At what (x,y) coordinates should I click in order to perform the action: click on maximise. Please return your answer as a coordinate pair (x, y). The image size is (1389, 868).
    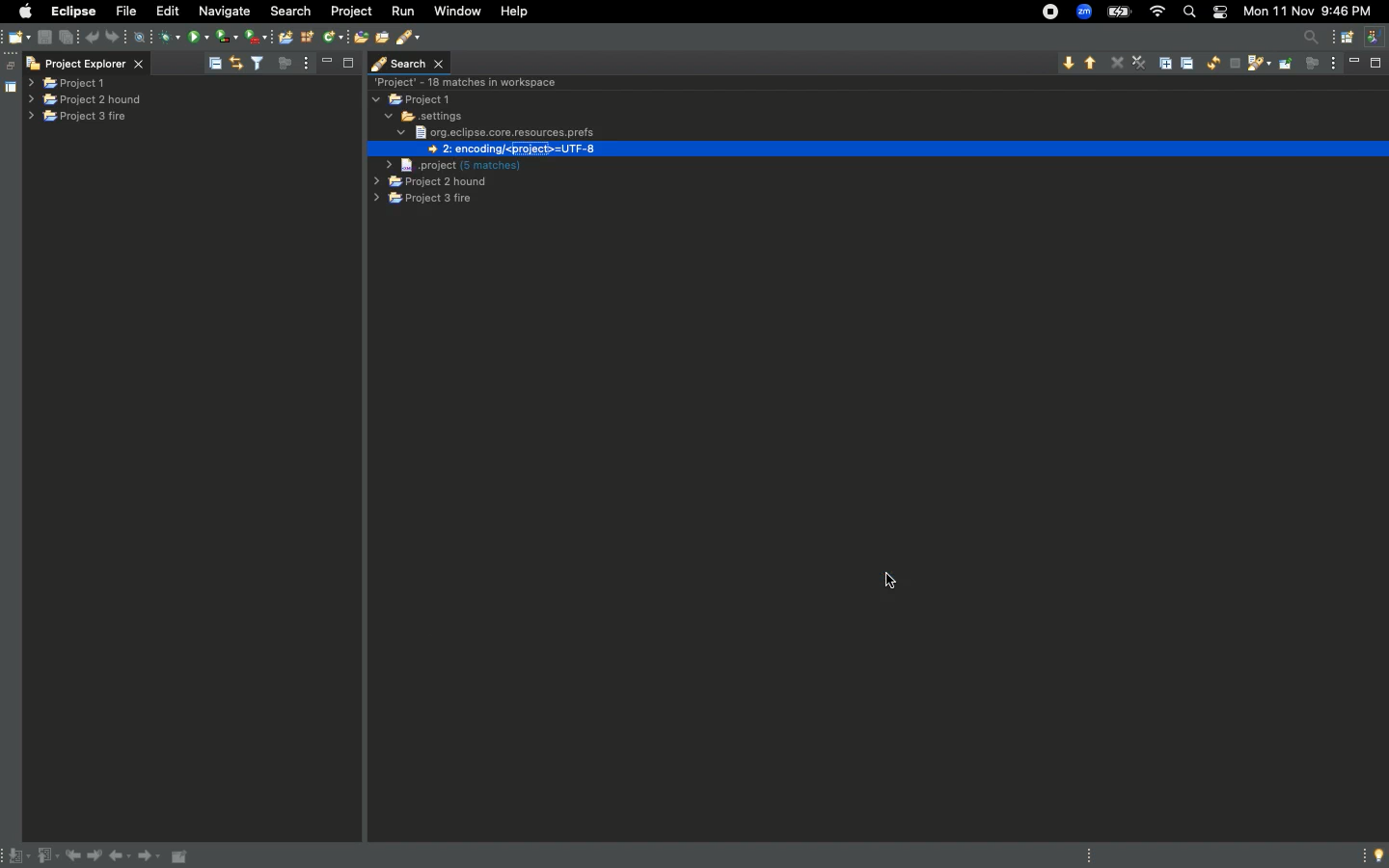
    Looking at the image, I should click on (1375, 64).